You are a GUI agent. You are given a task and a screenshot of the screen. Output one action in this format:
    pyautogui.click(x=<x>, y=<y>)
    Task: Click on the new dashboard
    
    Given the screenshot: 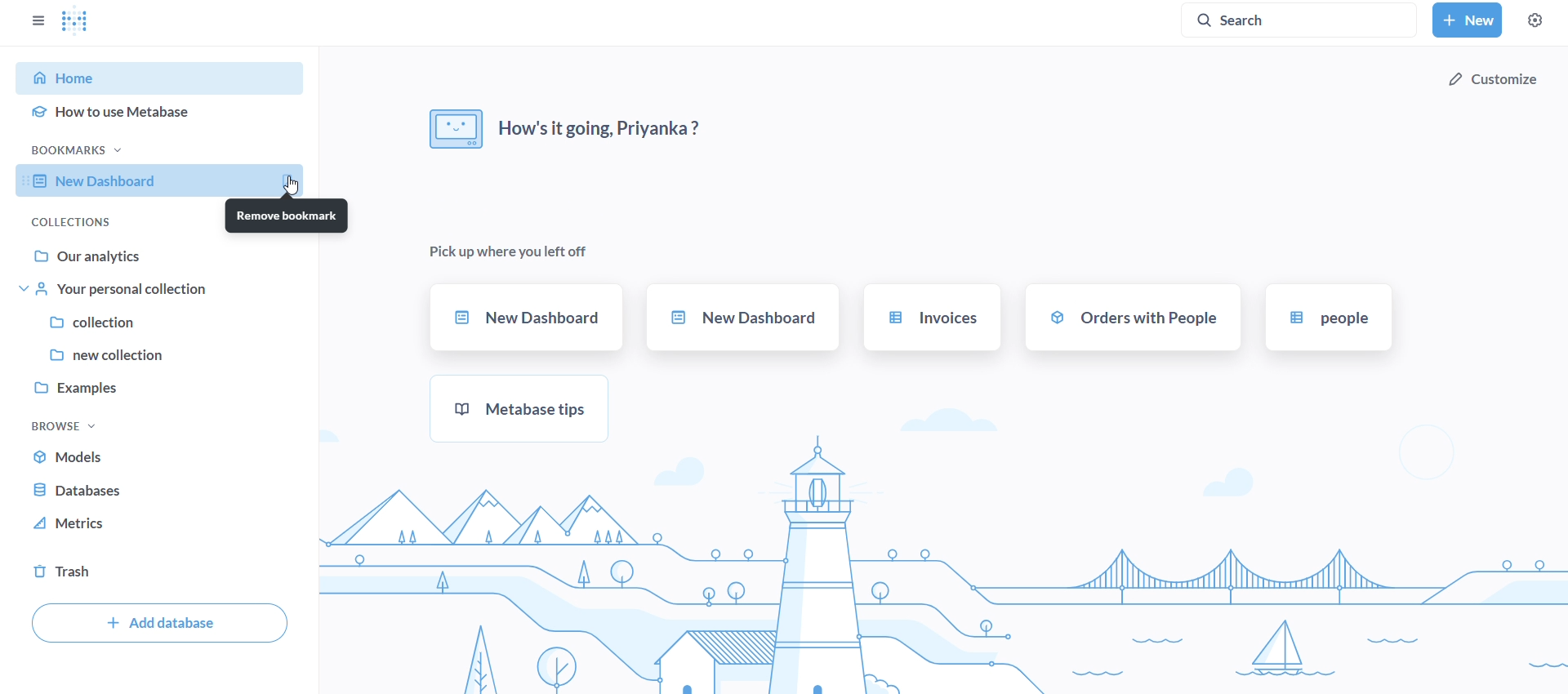 What is the action you would take?
    pyautogui.click(x=526, y=318)
    